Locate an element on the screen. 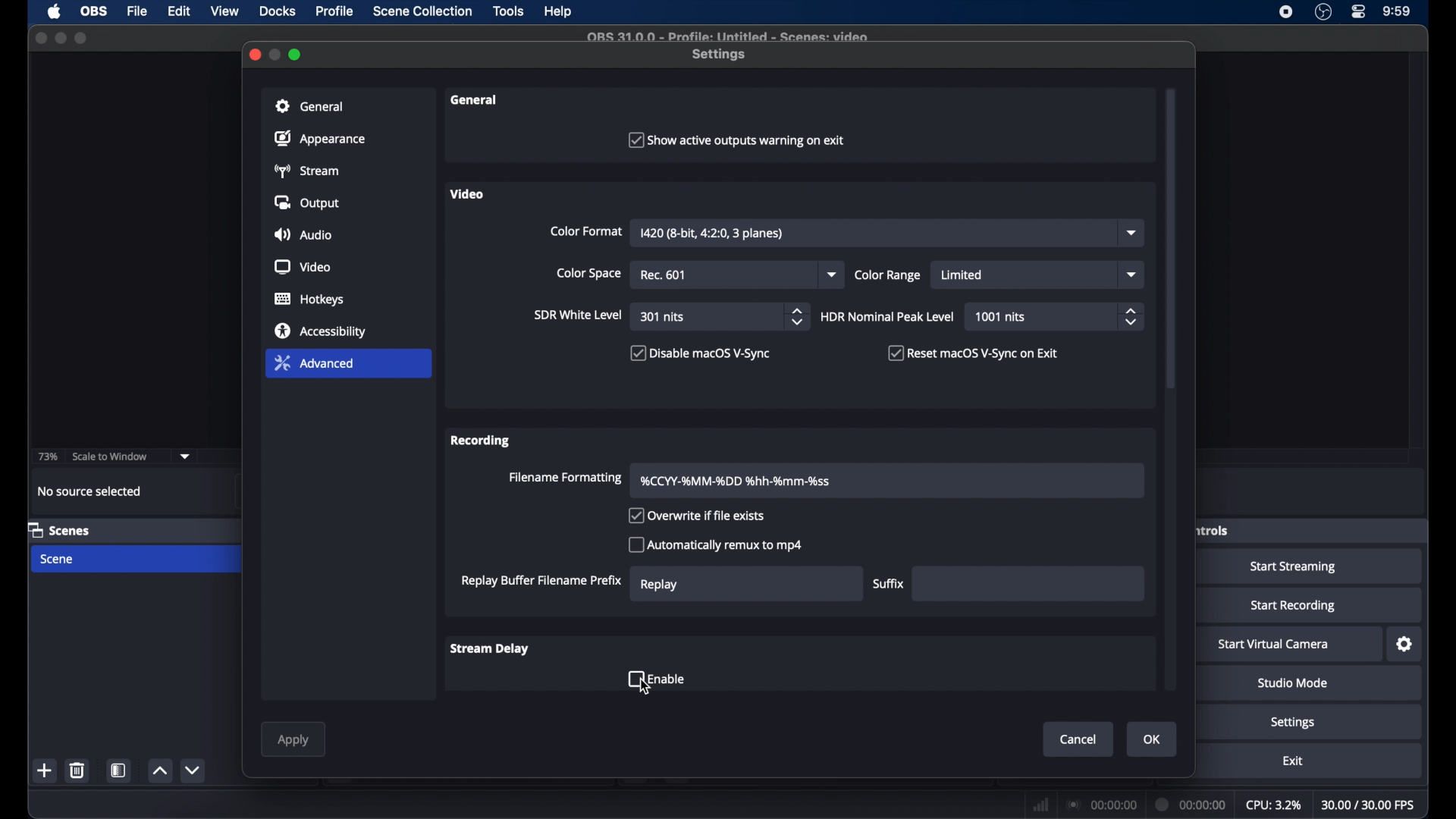 This screenshot has width=1456, height=819. cancel is located at coordinates (1078, 739).